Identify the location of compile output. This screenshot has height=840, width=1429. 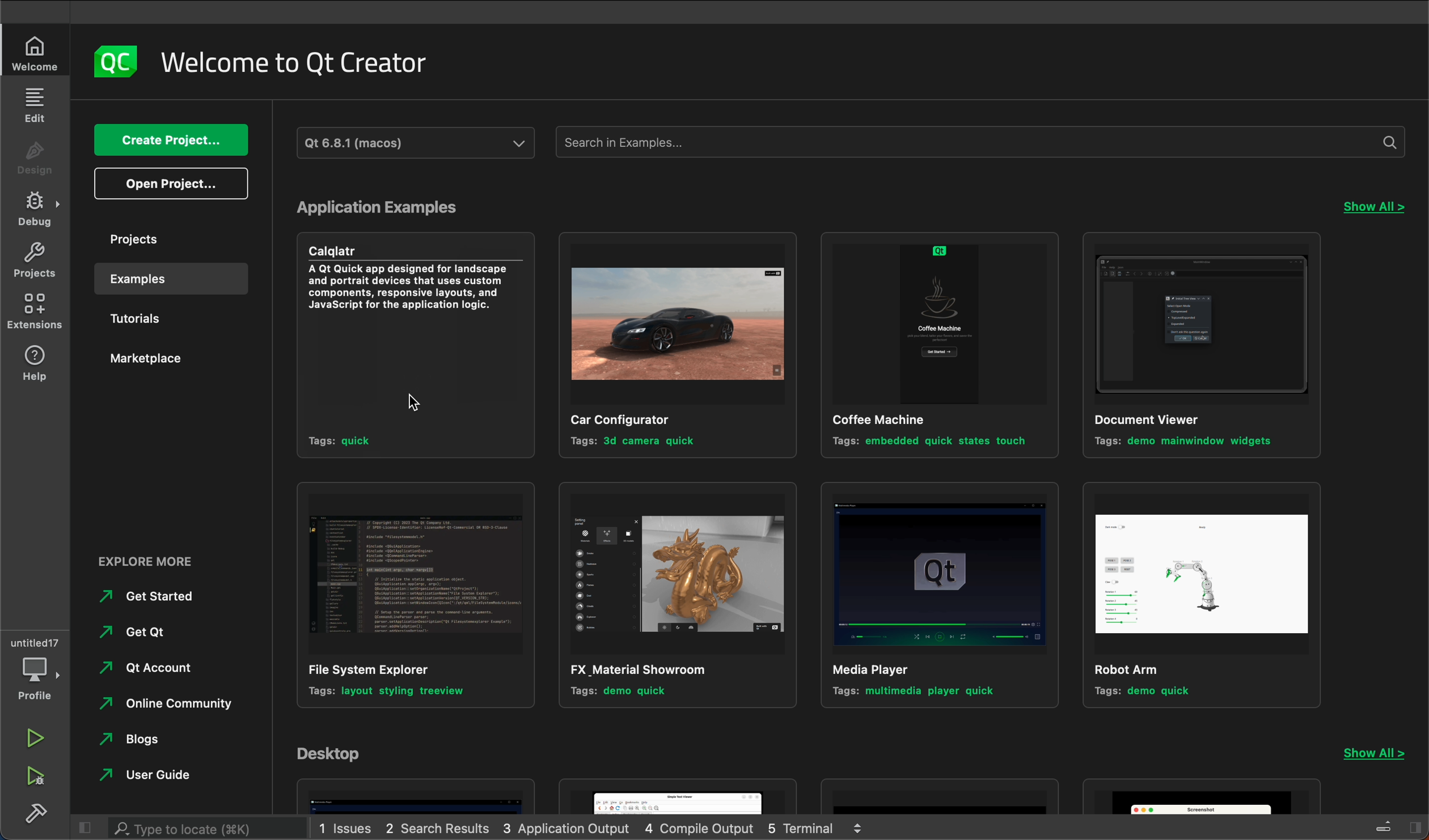
(704, 829).